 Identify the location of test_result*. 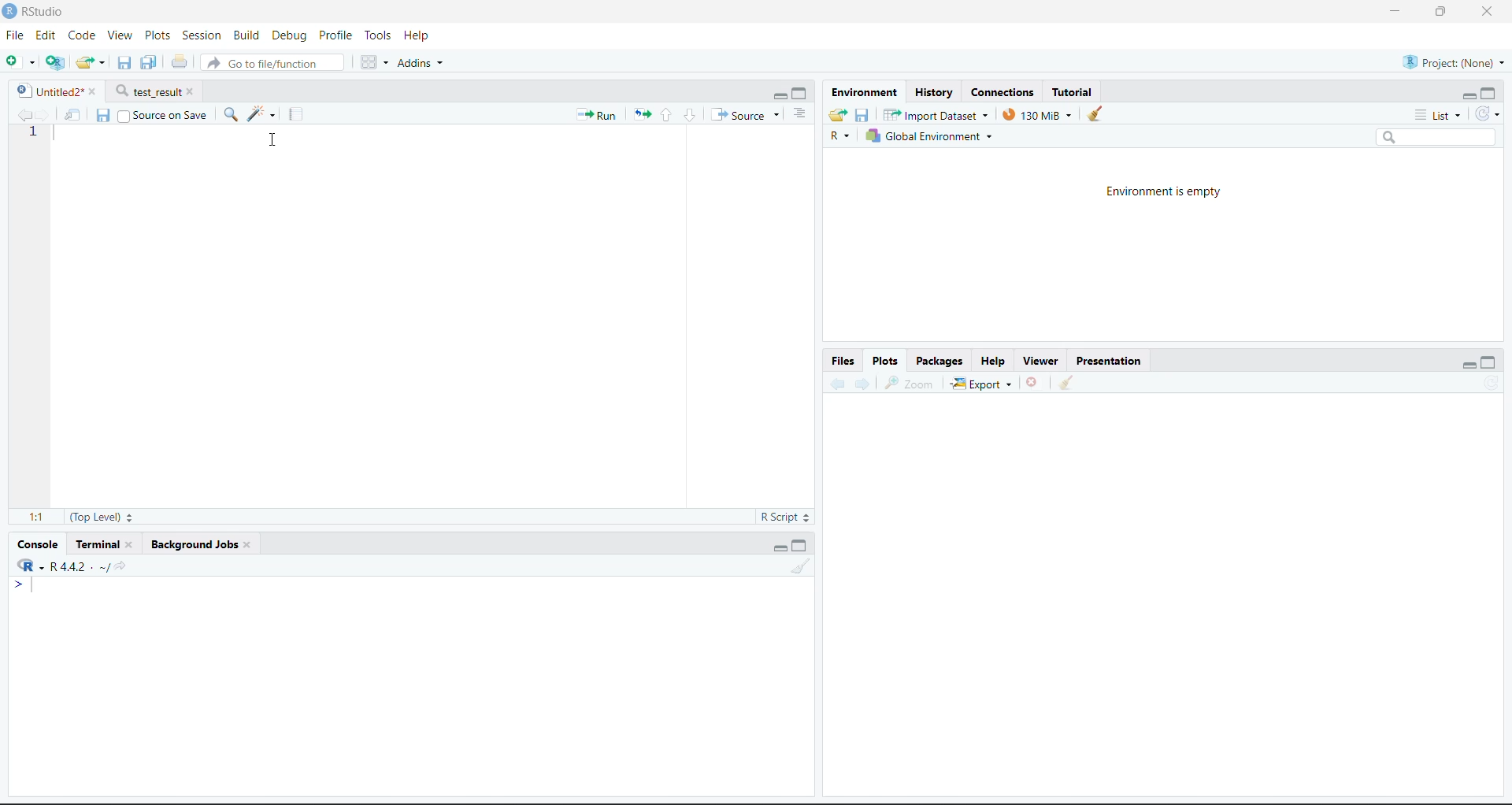
(157, 91).